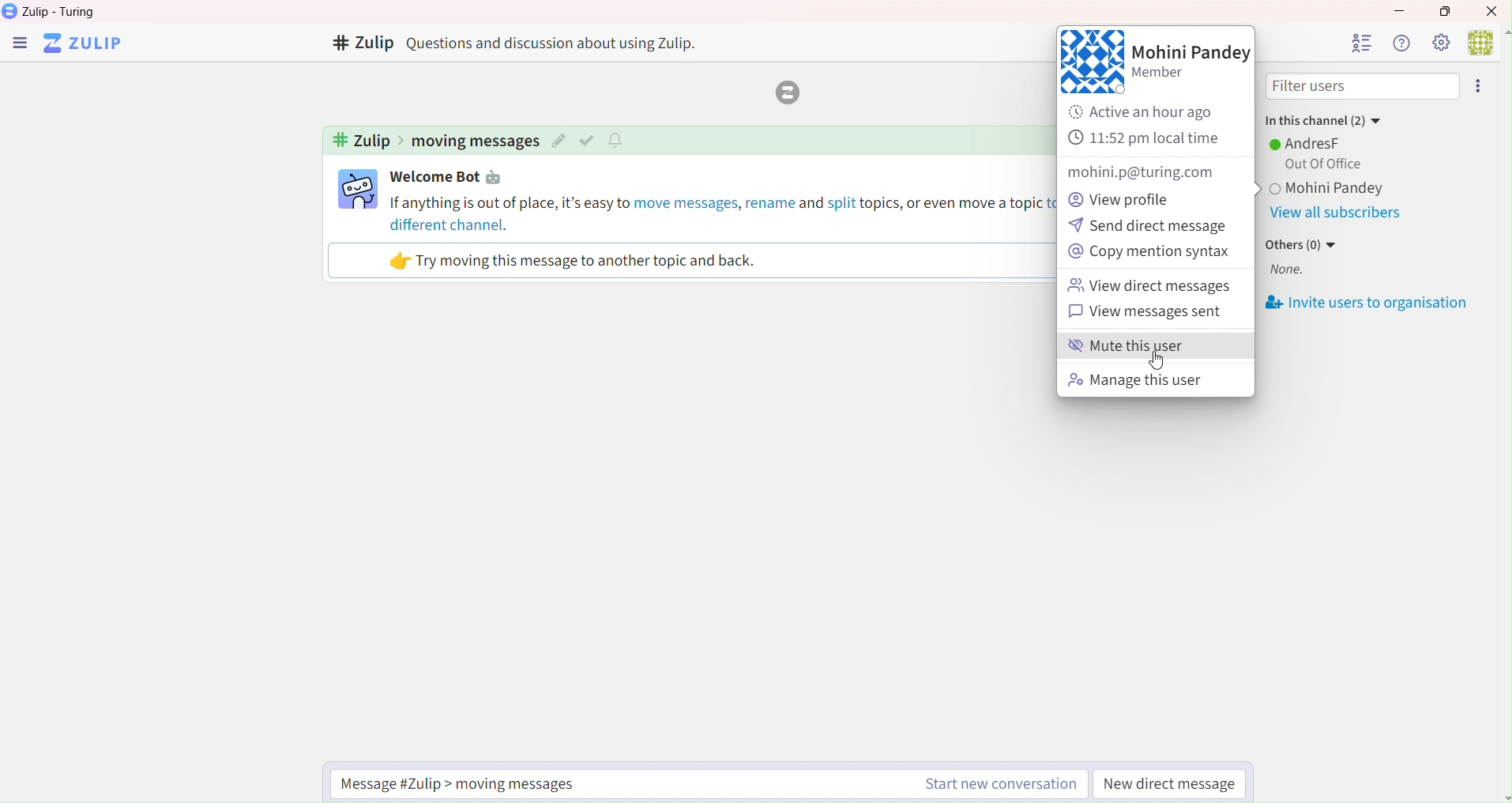  What do you see at coordinates (451, 178) in the screenshot?
I see `Welcome Bot ` at bounding box center [451, 178].